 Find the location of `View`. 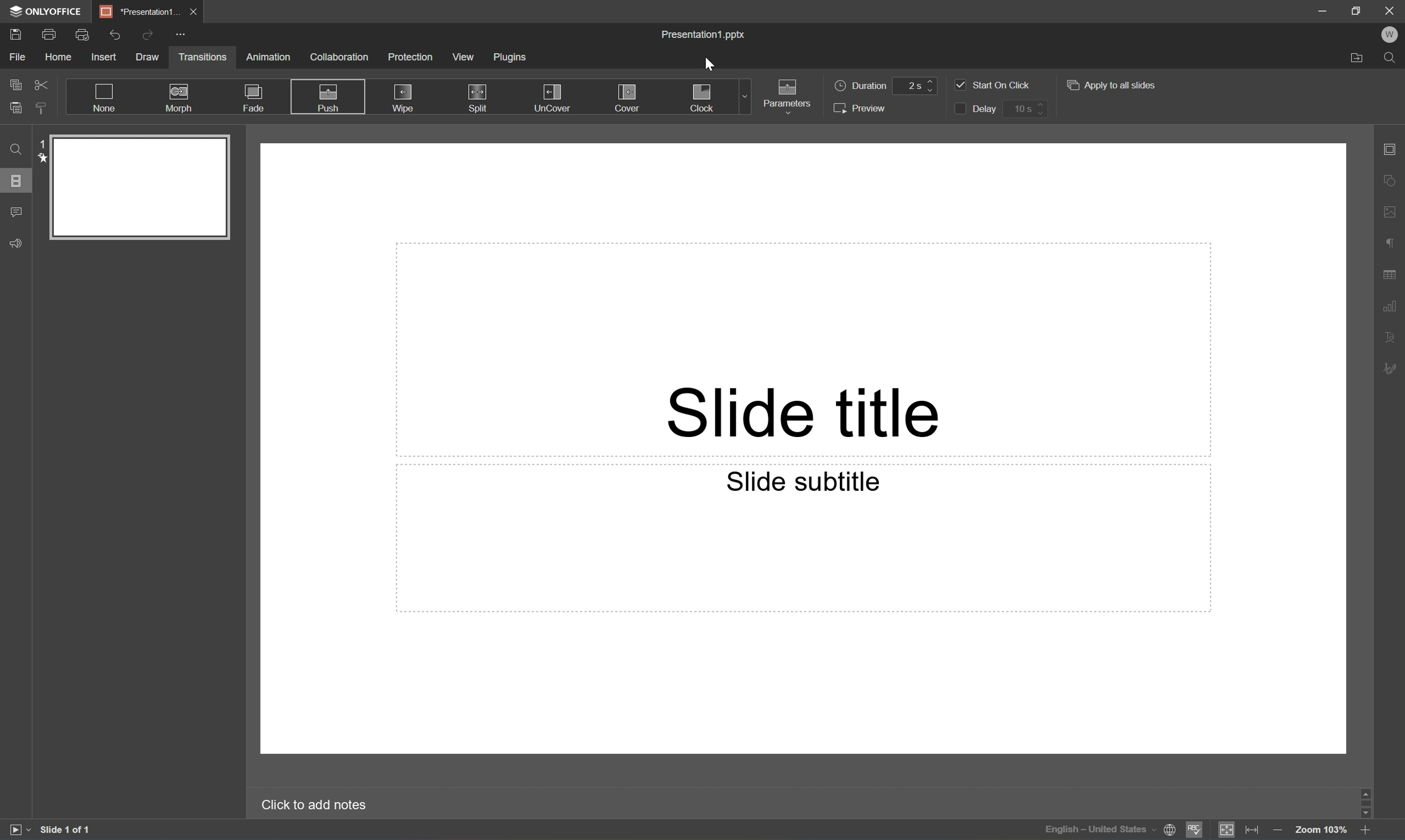

View is located at coordinates (463, 58).